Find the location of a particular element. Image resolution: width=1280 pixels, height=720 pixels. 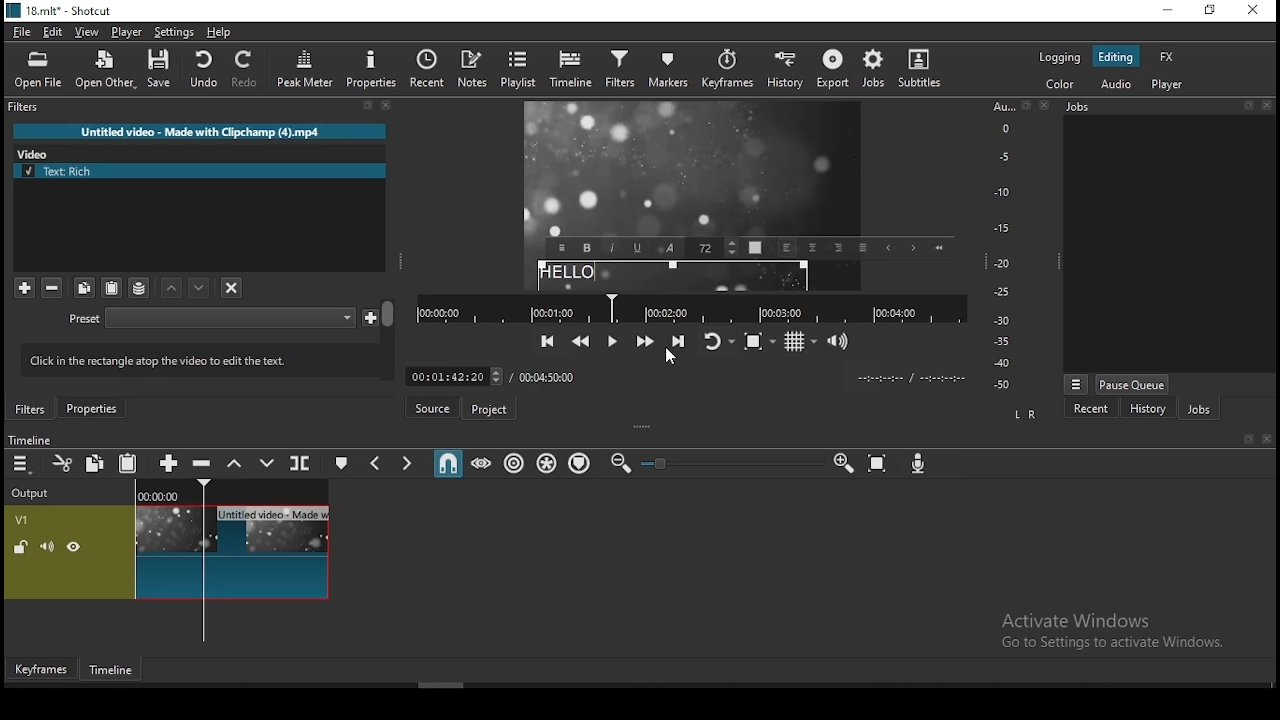

Next is located at coordinates (912, 248).